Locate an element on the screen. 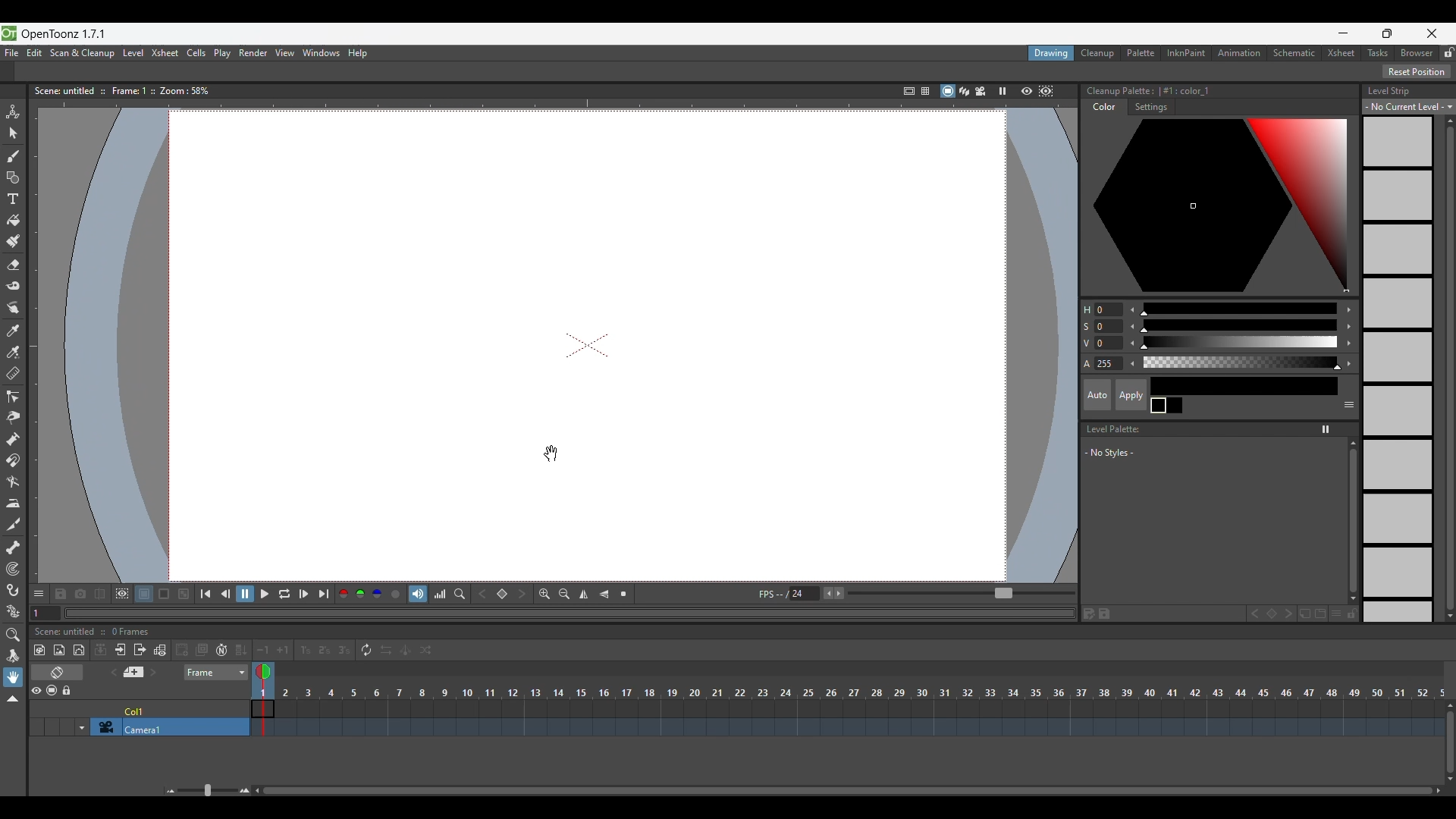 The image size is (1456, 819). New raster level is located at coordinates (58, 649).